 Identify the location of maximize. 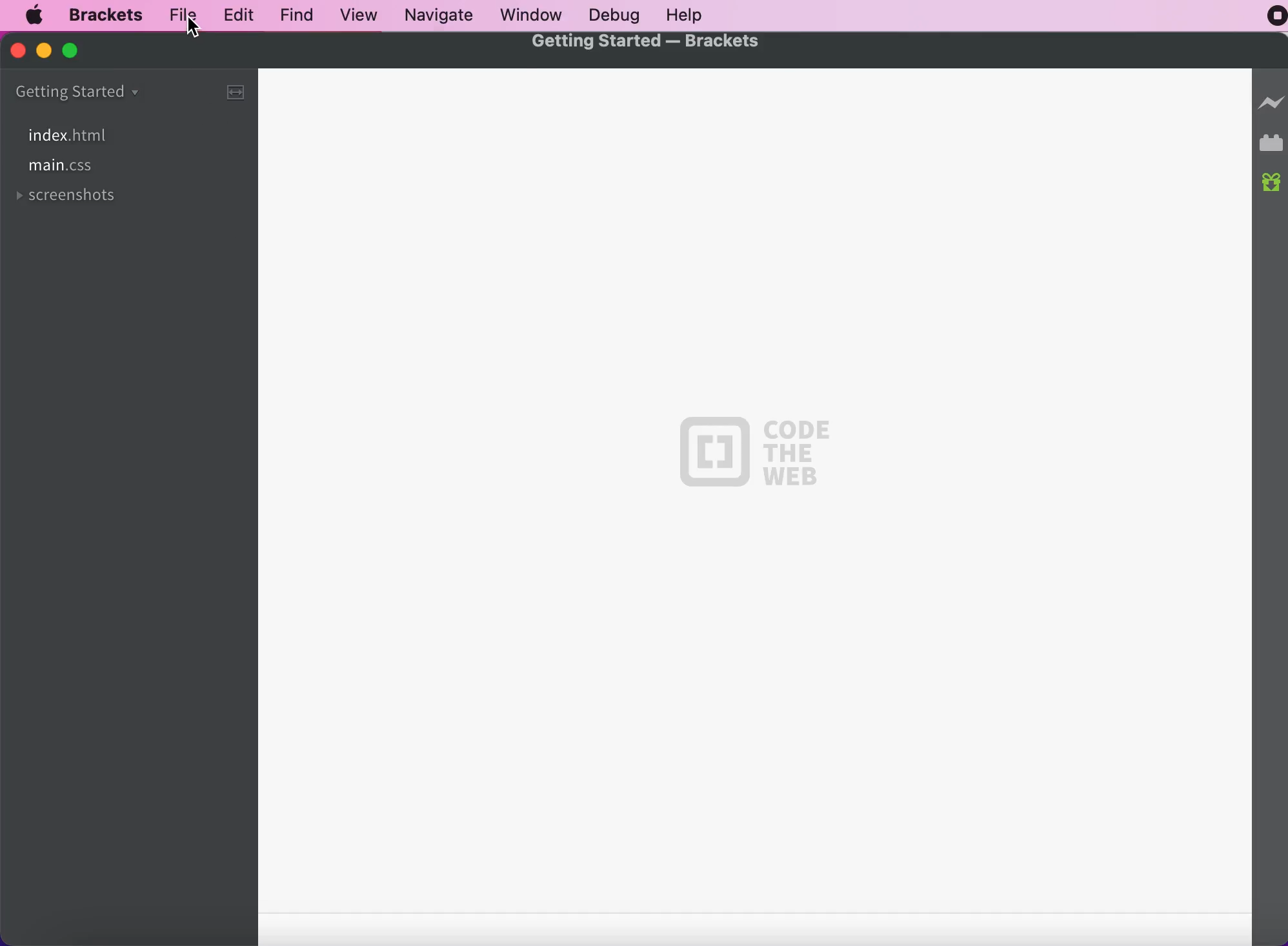
(77, 55).